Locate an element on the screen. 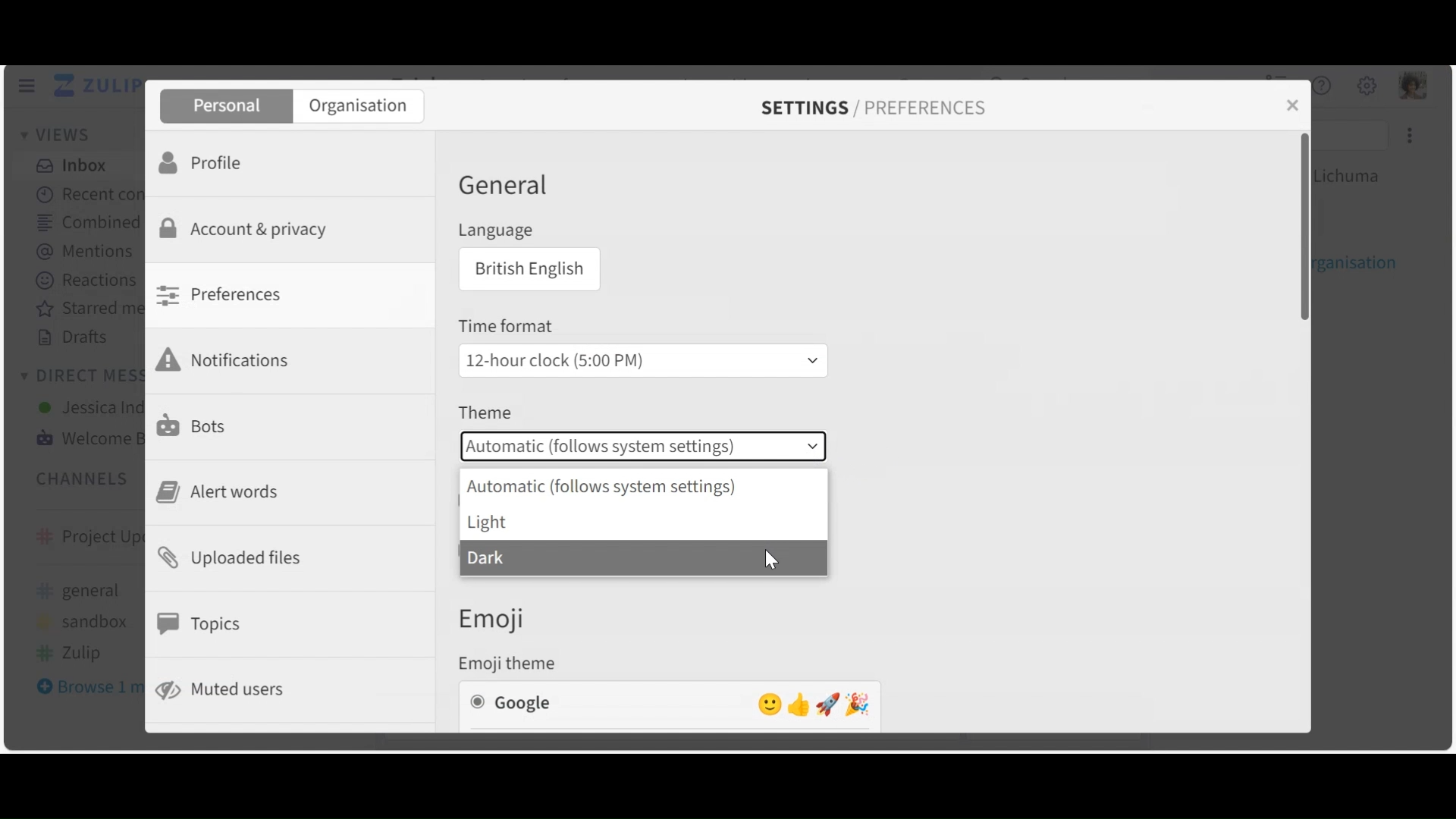  Emoji is located at coordinates (504, 618).